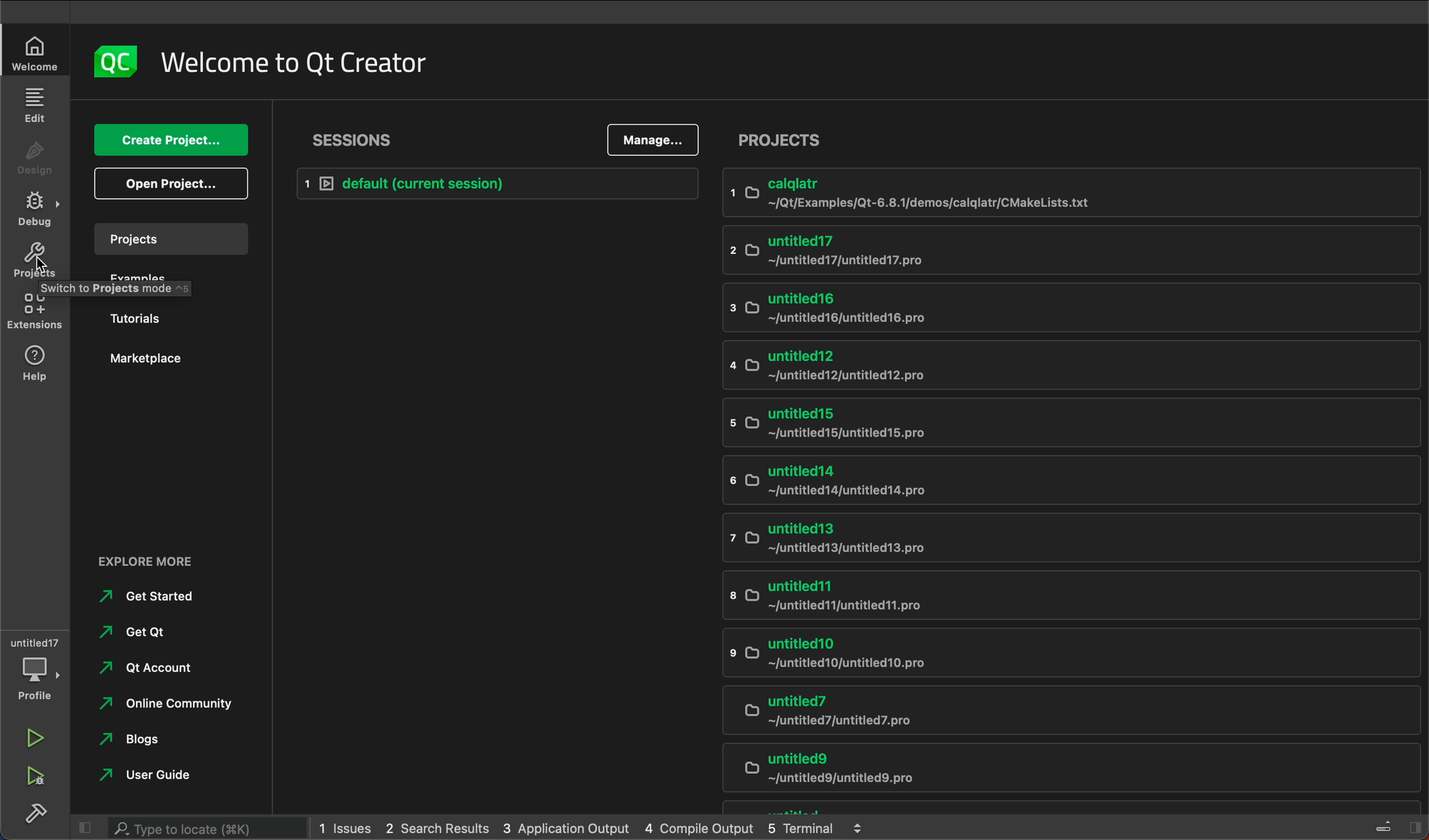  I want to click on untitled9, so click(1058, 769).